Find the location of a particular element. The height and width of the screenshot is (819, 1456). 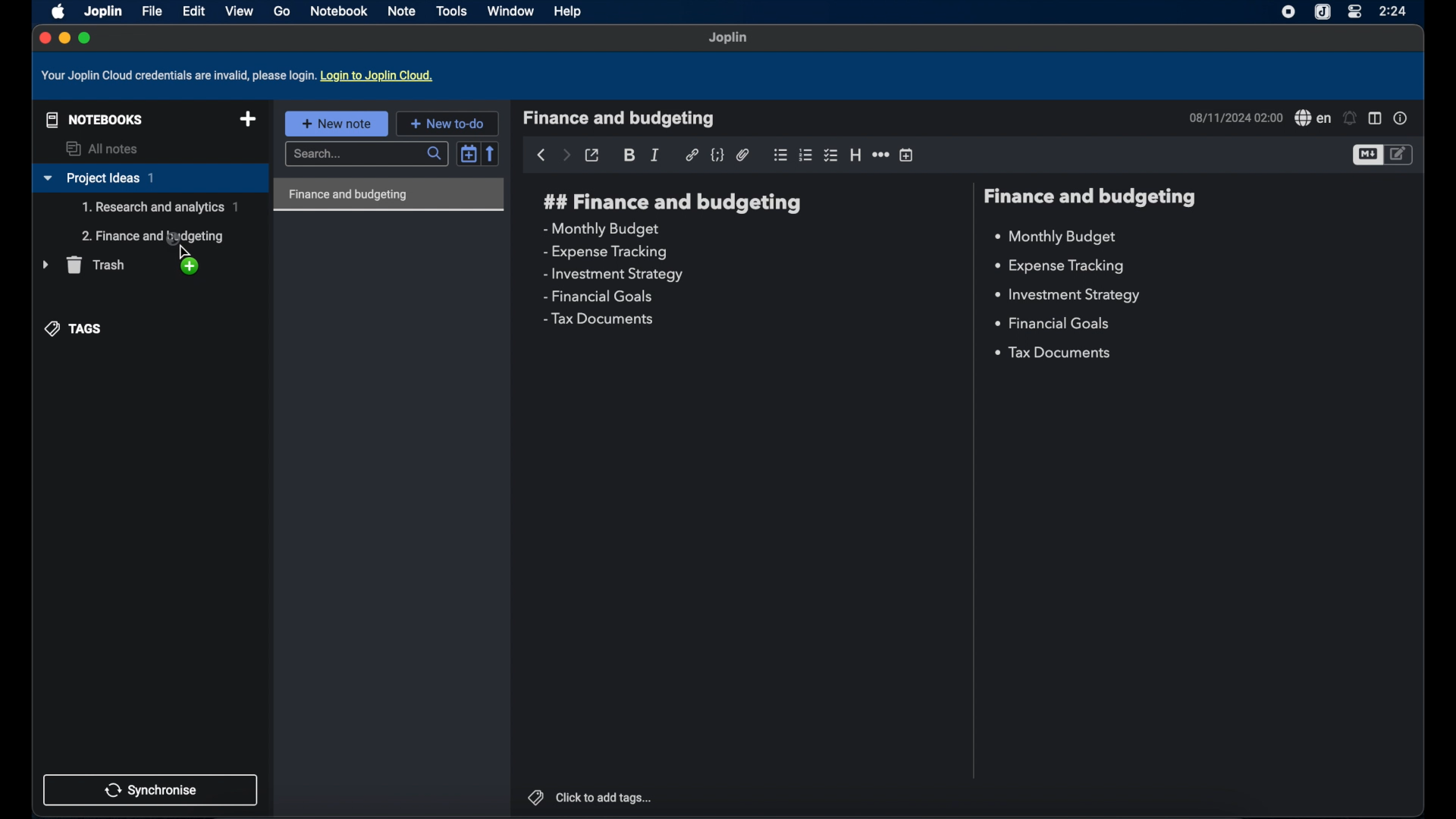

checkbox is located at coordinates (832, 155).